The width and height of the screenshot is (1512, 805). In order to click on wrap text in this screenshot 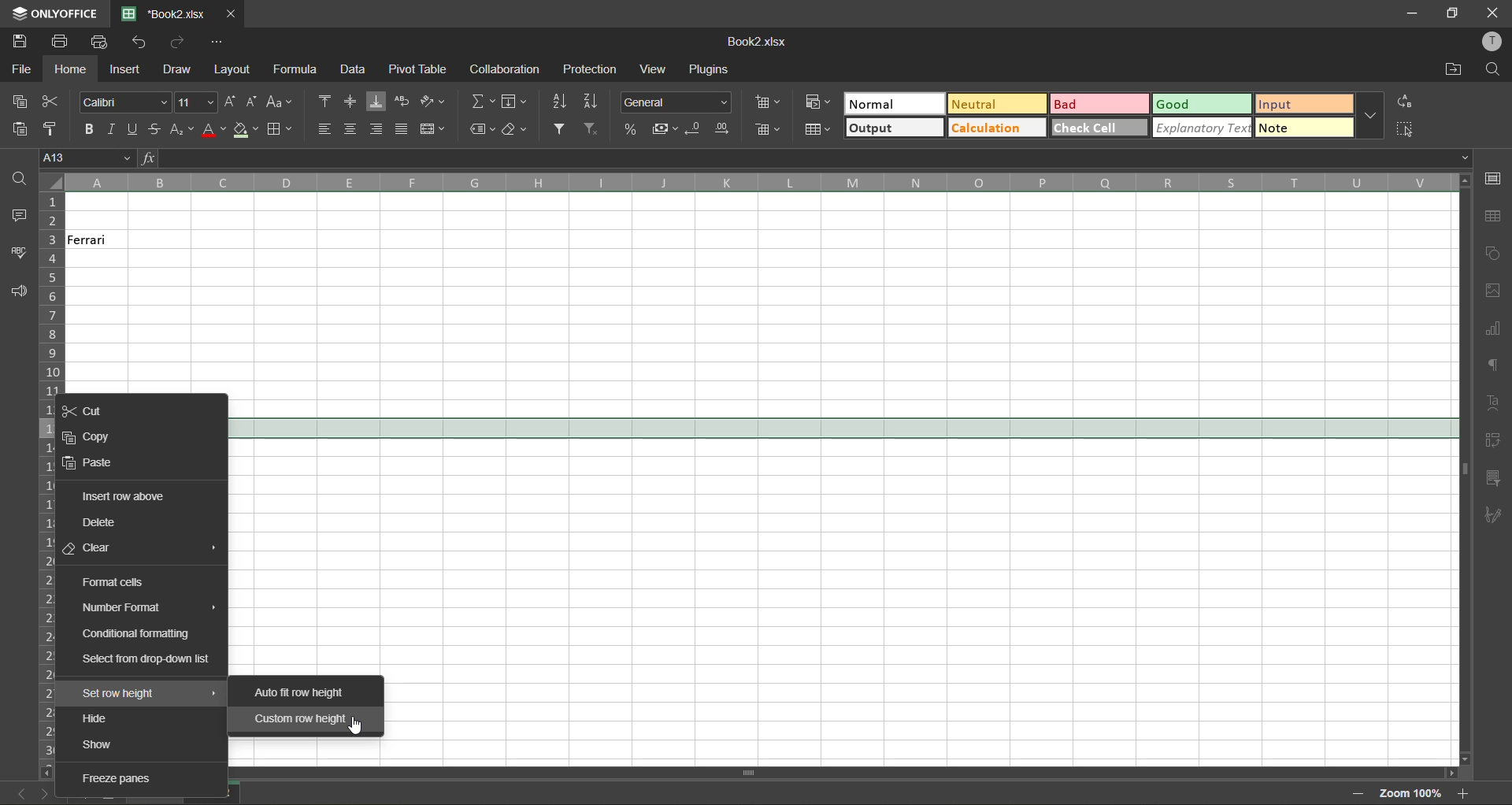, I will do `click(401, 101)`.